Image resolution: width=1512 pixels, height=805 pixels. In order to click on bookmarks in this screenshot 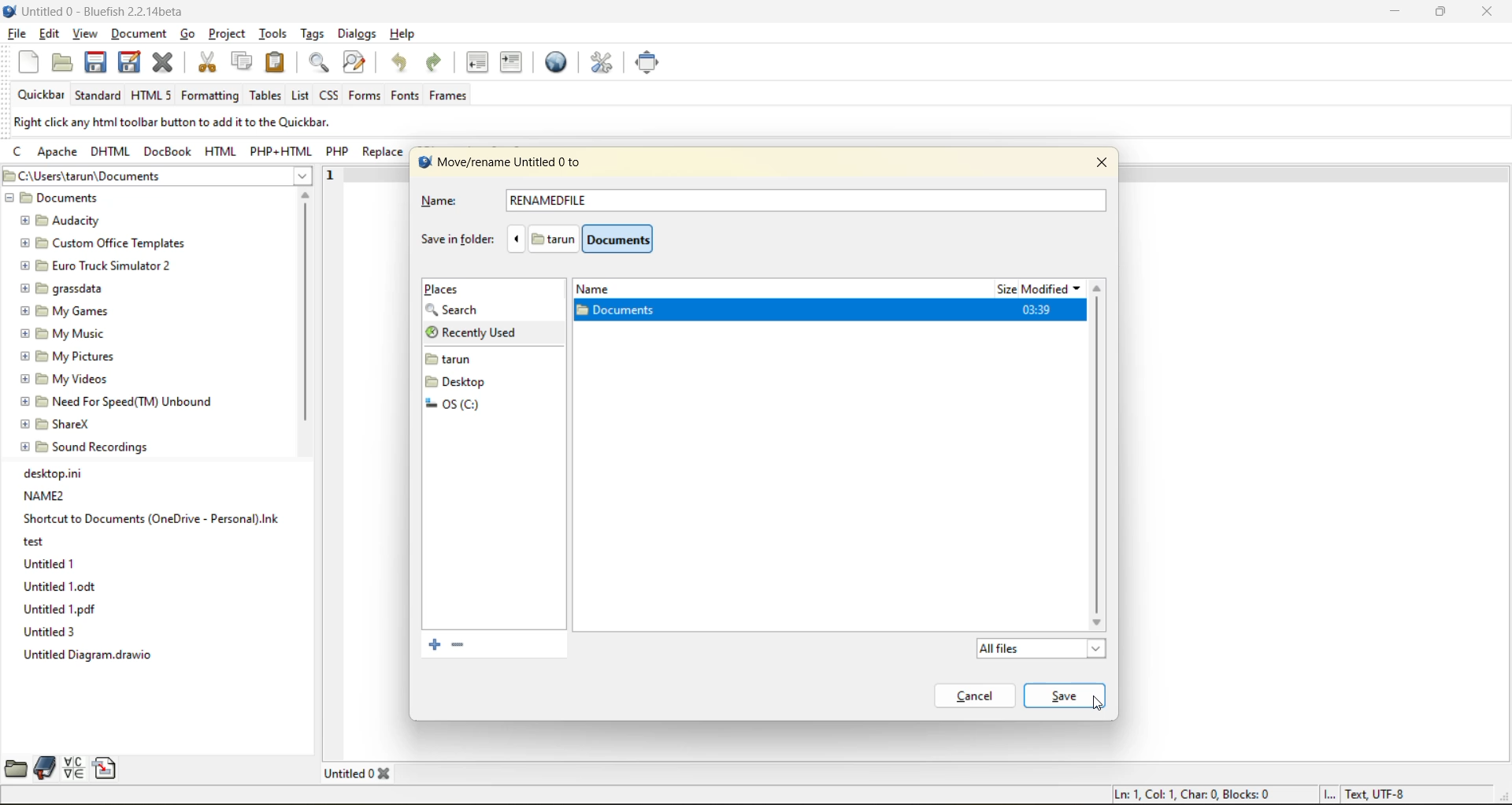, I will do `click(43, 769)`.